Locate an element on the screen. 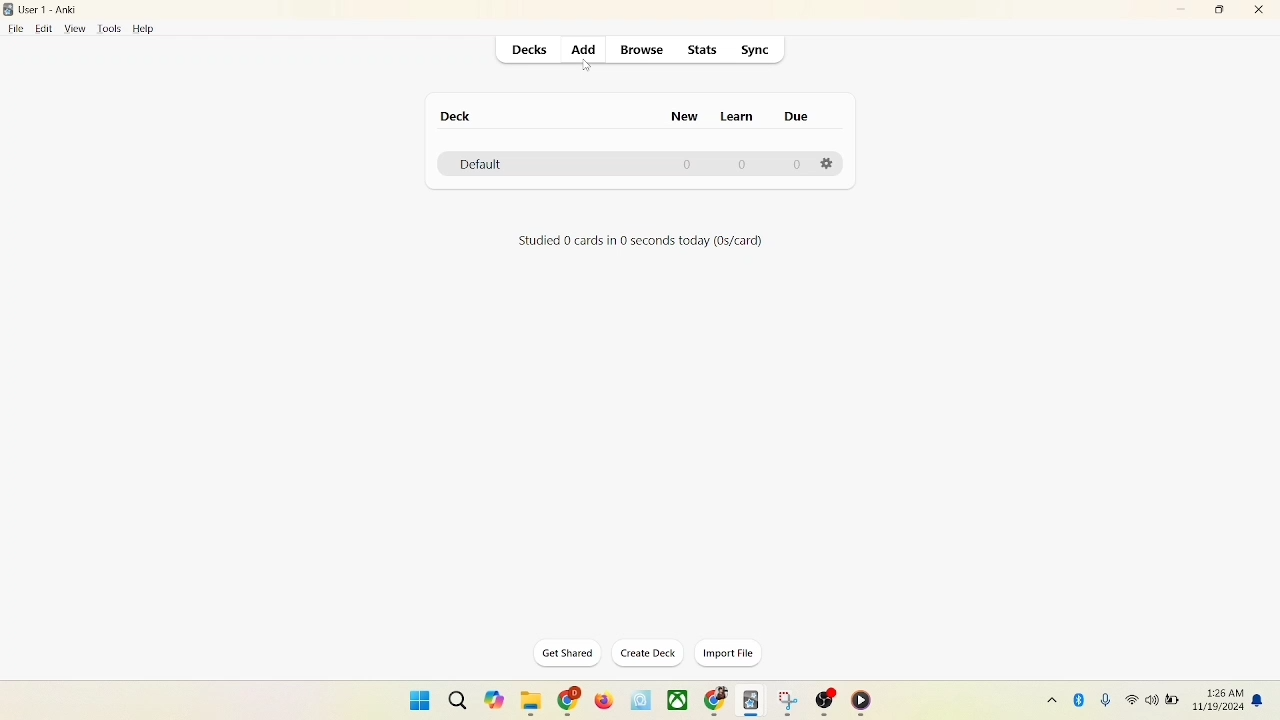  applications is located at coordinates (678, 701).